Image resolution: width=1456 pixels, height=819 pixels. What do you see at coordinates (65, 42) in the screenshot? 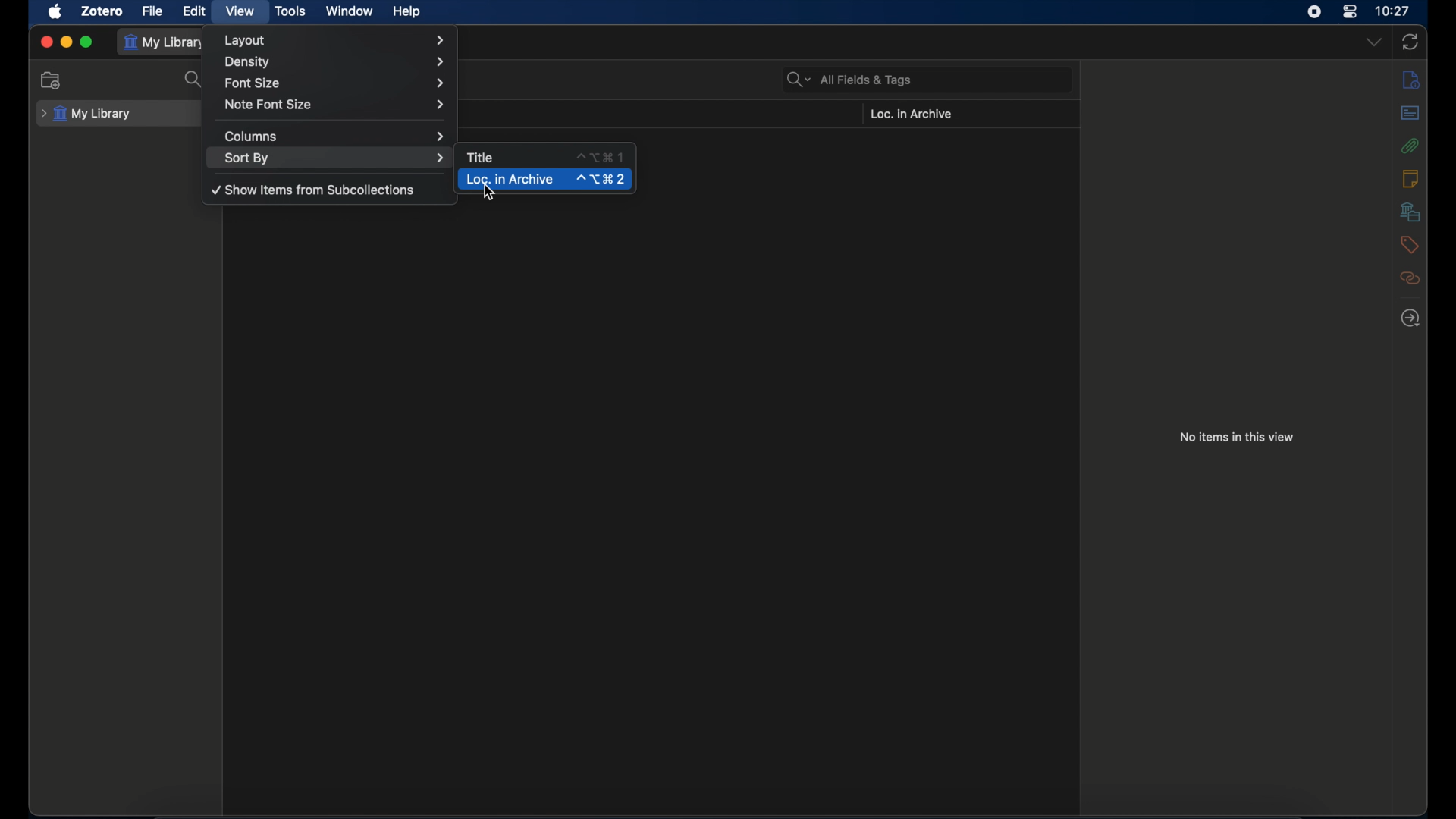
I see `minimize` at bounding box center [65, 42].